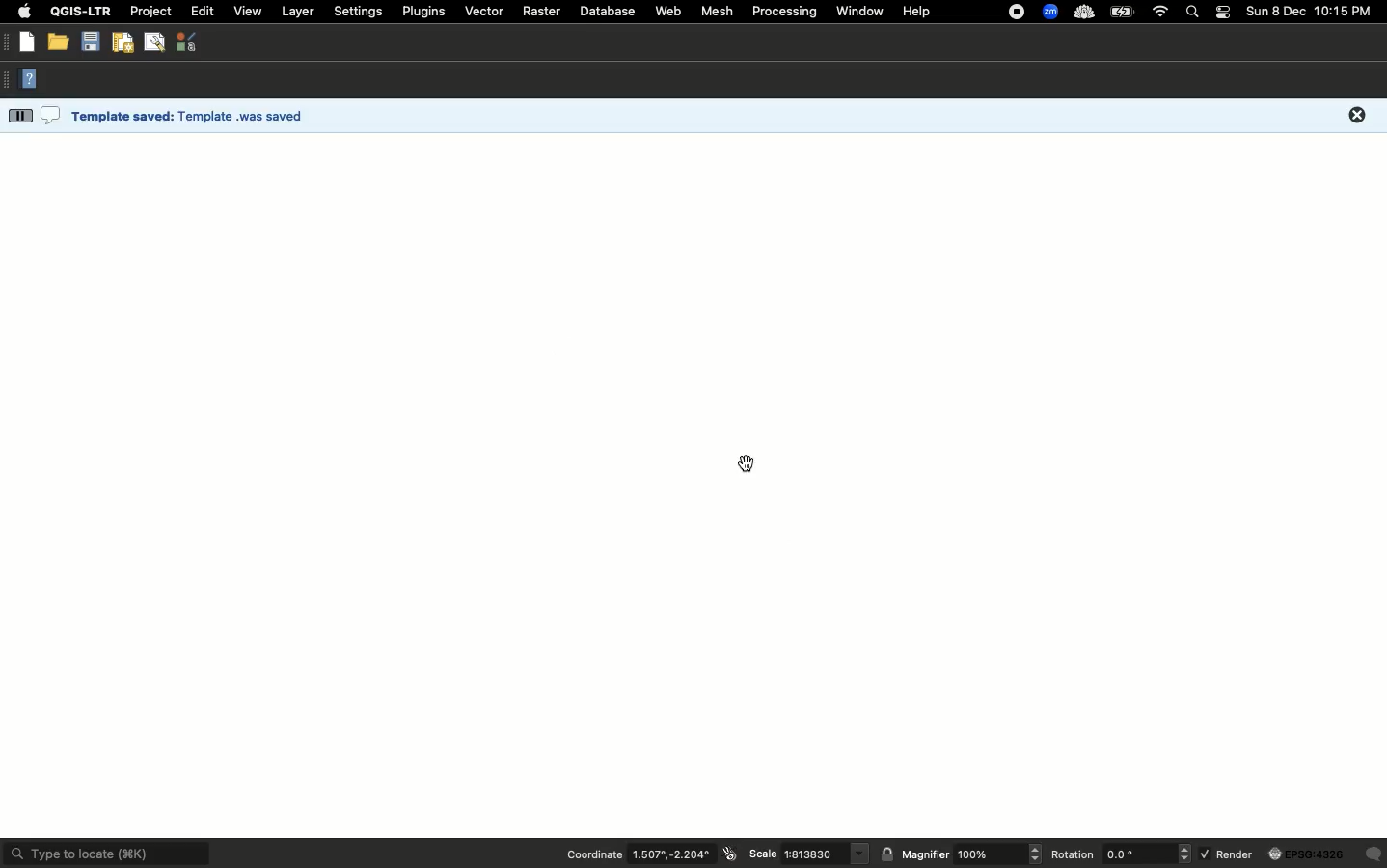  What do you see at coordinates (20, 117) in the screenshot?
I see `more` at bounding box center [20, 117].